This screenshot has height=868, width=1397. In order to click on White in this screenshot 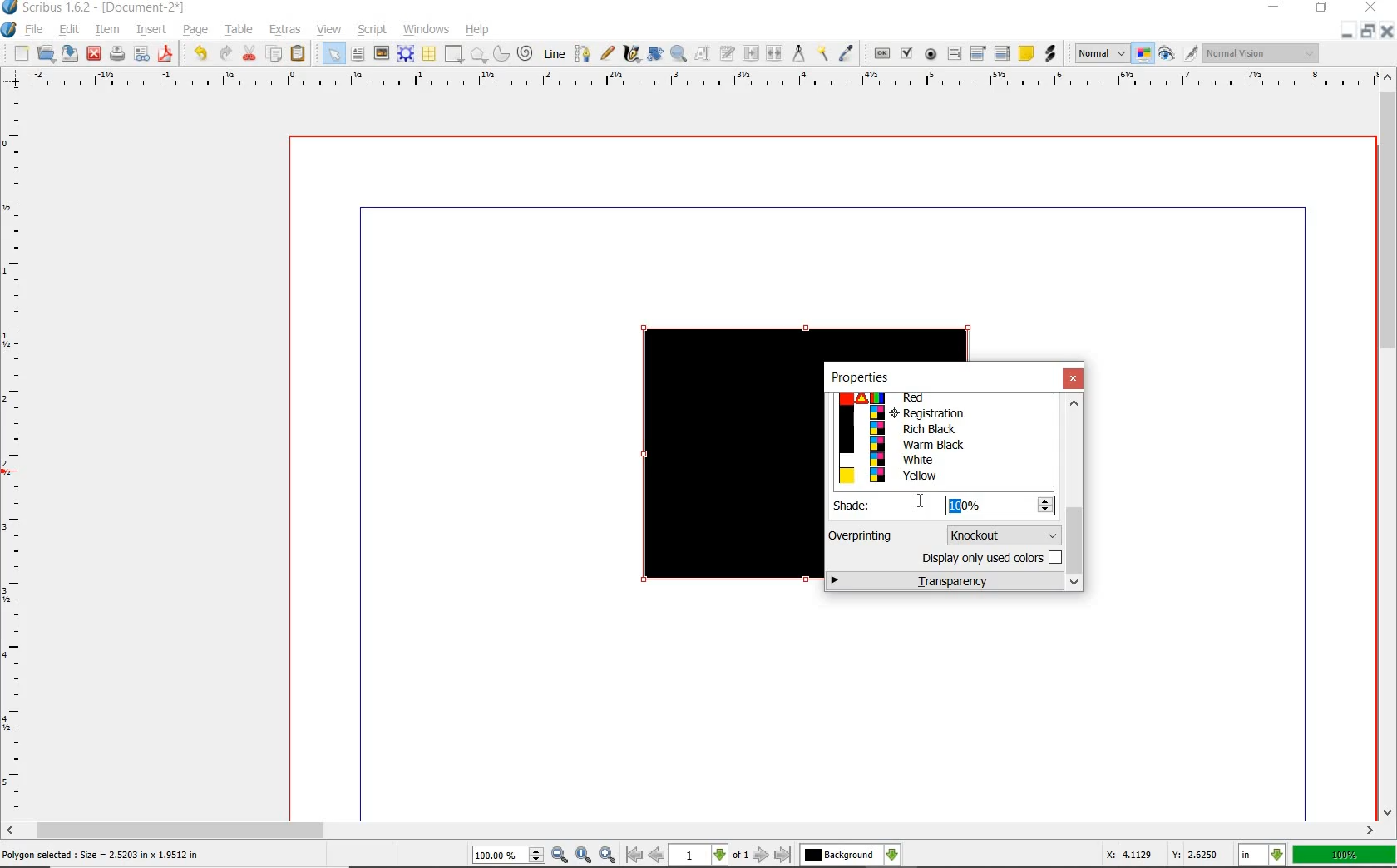, I will do `click(940, 459)`.